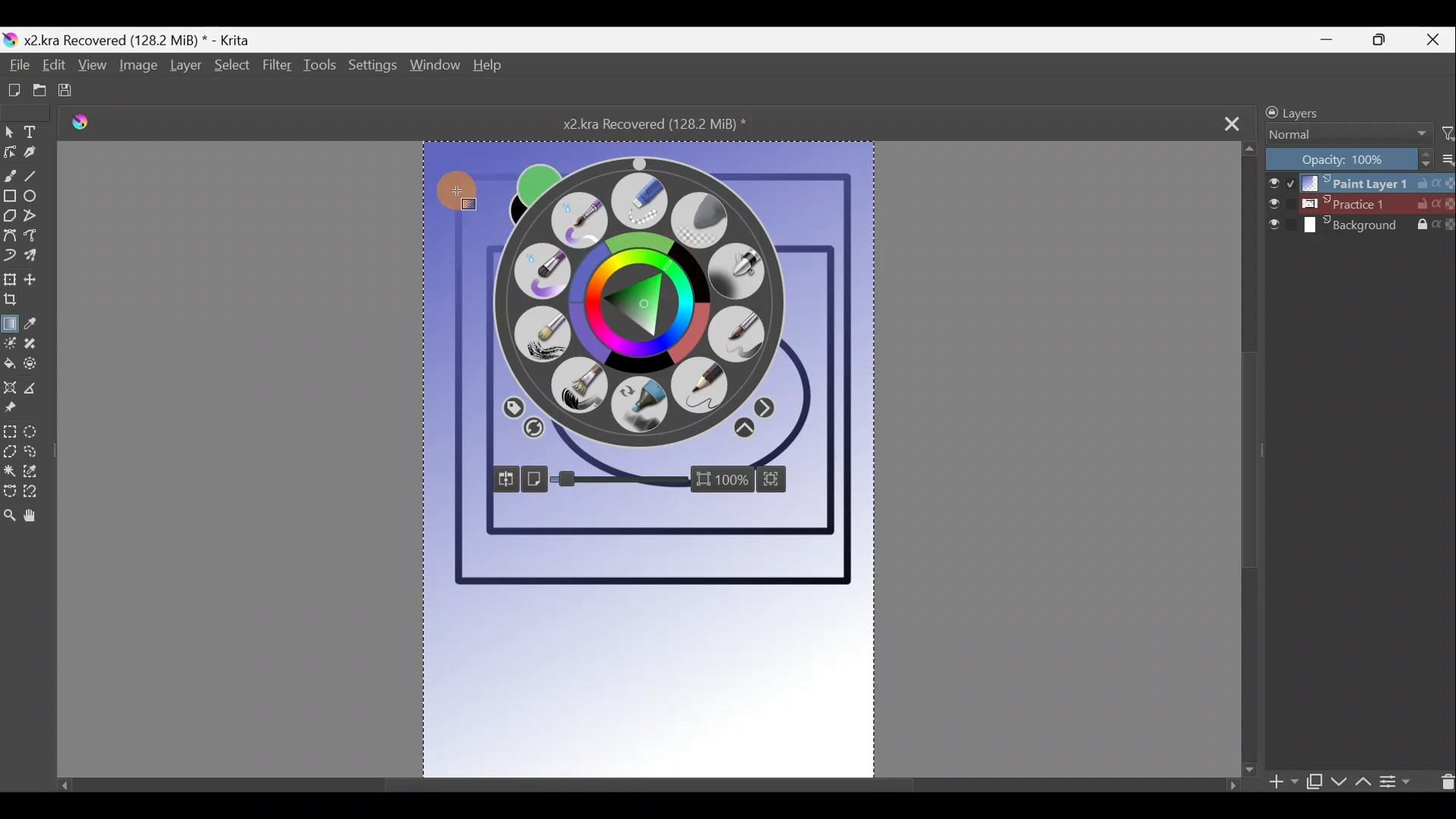 The width and height of the screenshot is (1456, 819). What do you see at coordinates (1250, 457) in the screenshot?
I see `Scroll bar` at bounding box center [1250, 457].